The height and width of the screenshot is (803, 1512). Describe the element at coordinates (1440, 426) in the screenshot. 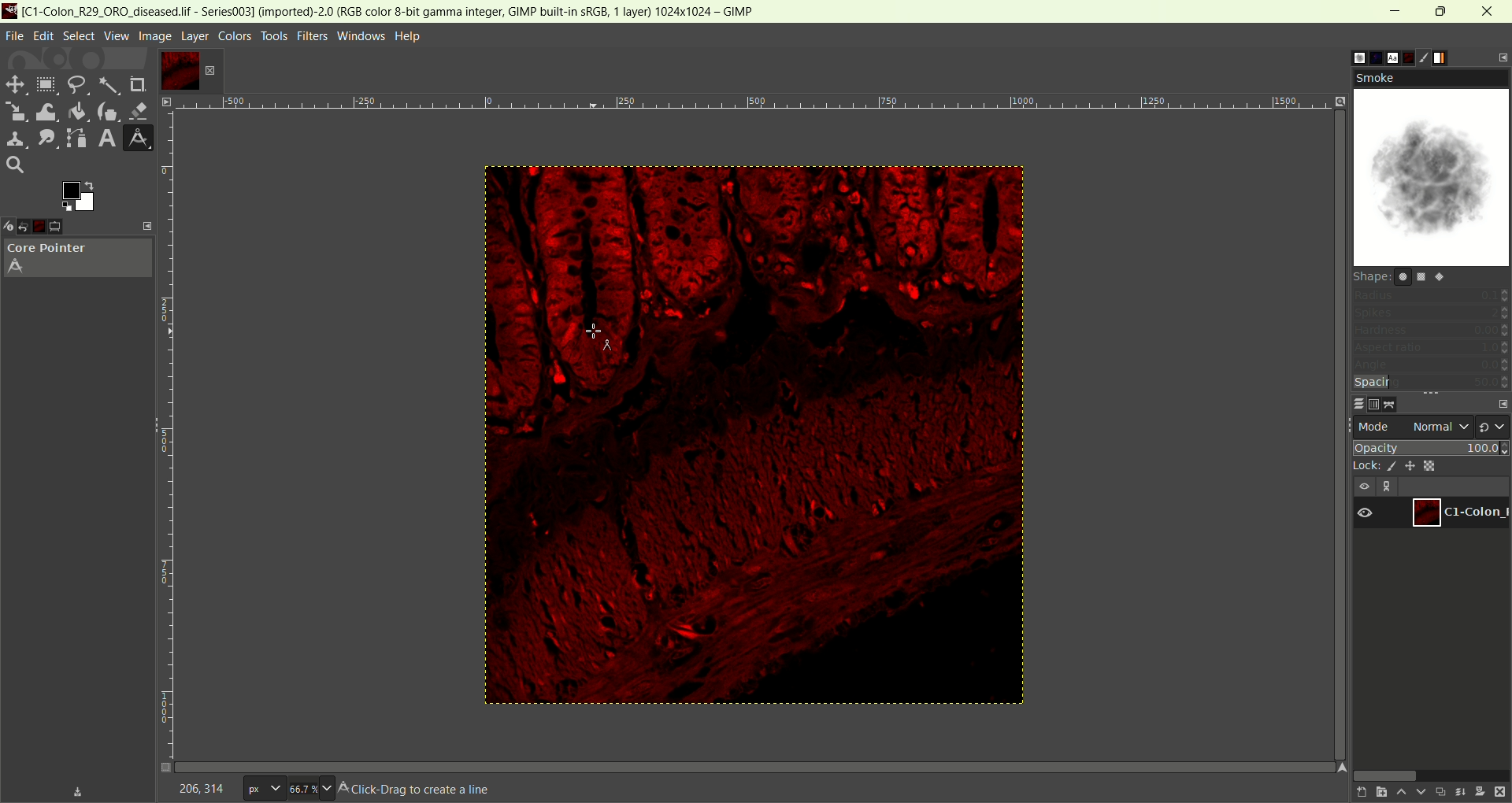

I see `normal` at that location.